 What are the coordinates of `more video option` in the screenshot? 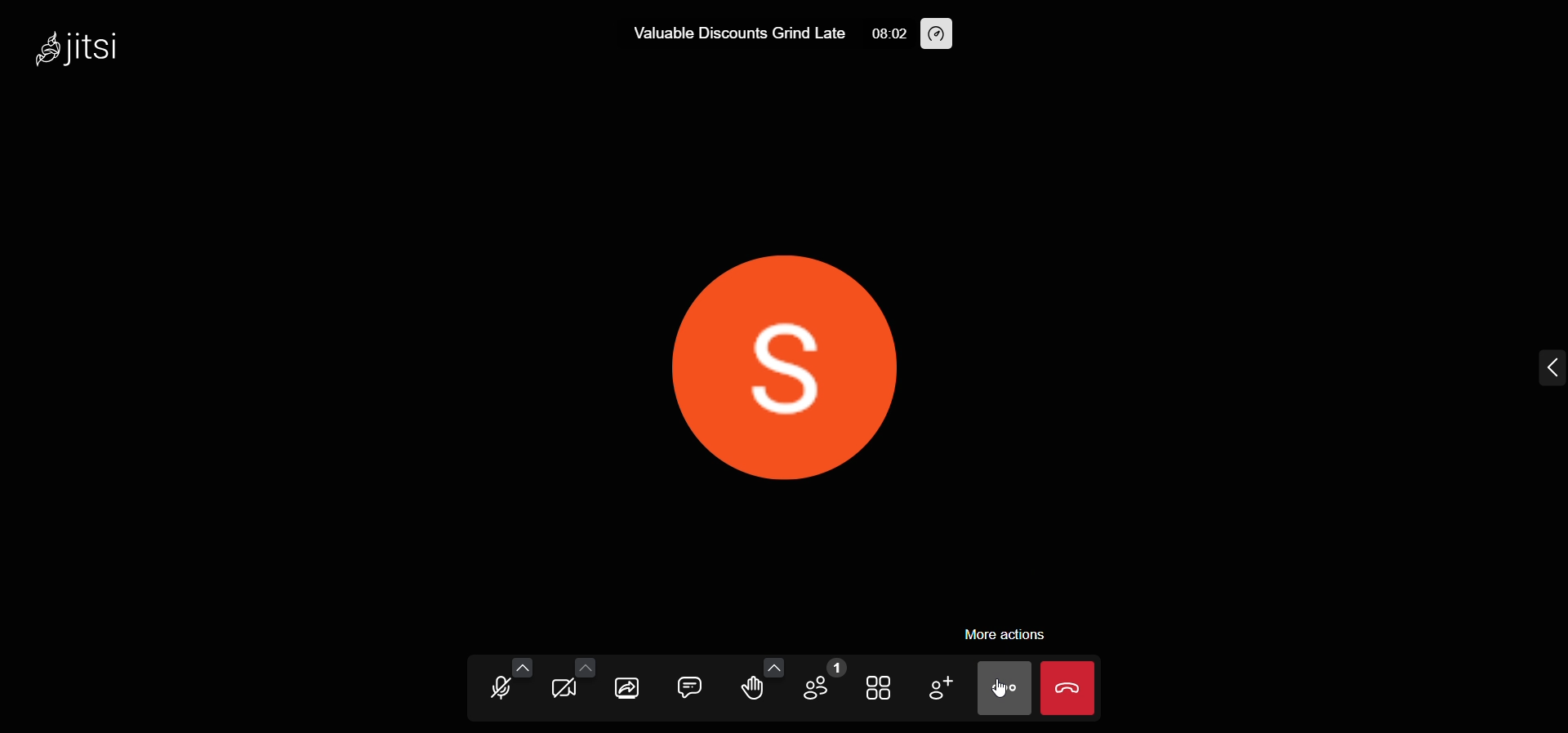 It's located at (587, 668).